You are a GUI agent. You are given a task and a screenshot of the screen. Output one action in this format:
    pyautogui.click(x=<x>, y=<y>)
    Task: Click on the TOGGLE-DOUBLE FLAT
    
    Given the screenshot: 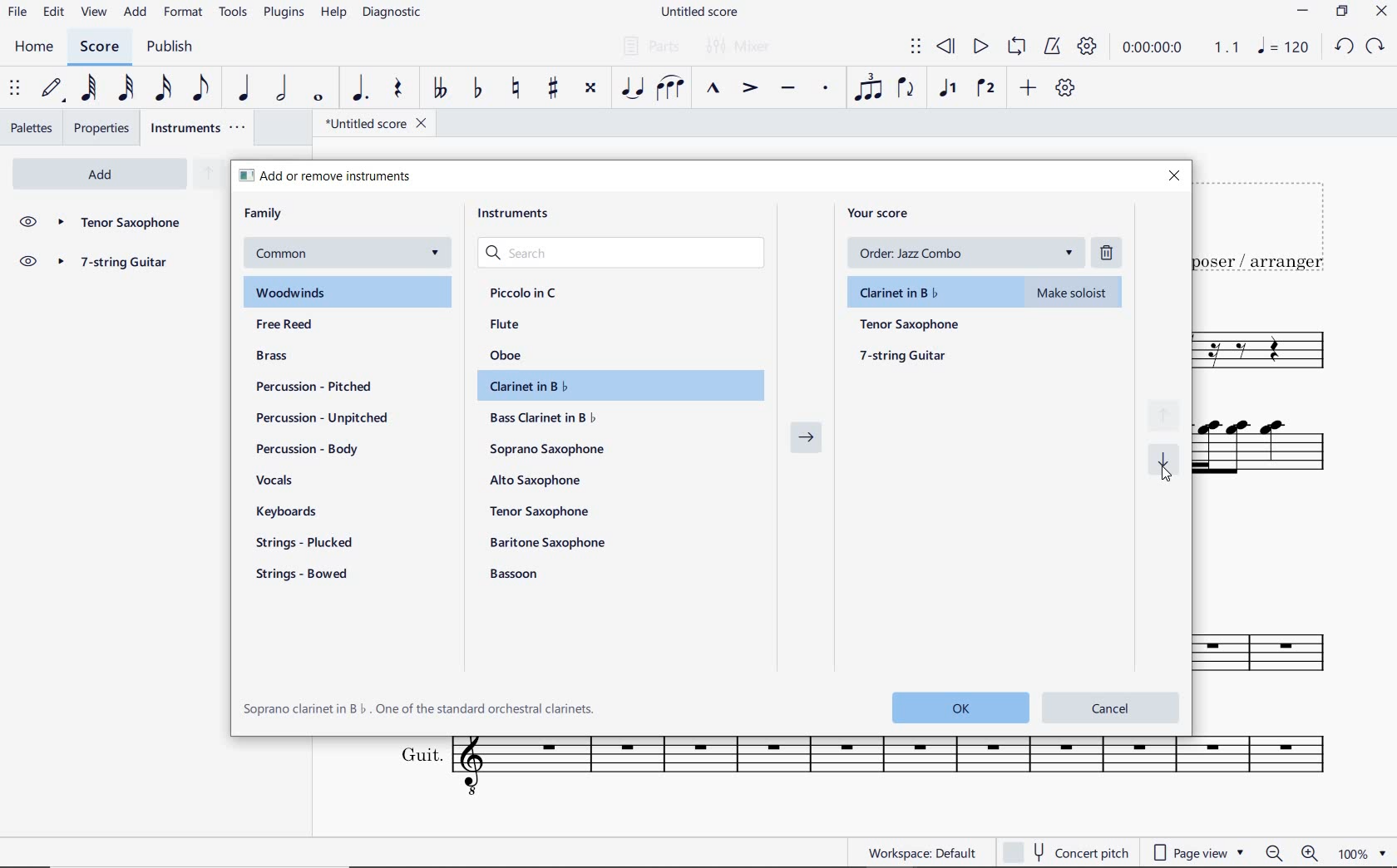 What is the action you would take?
    pyautogui.click(x=437, y=88)
    